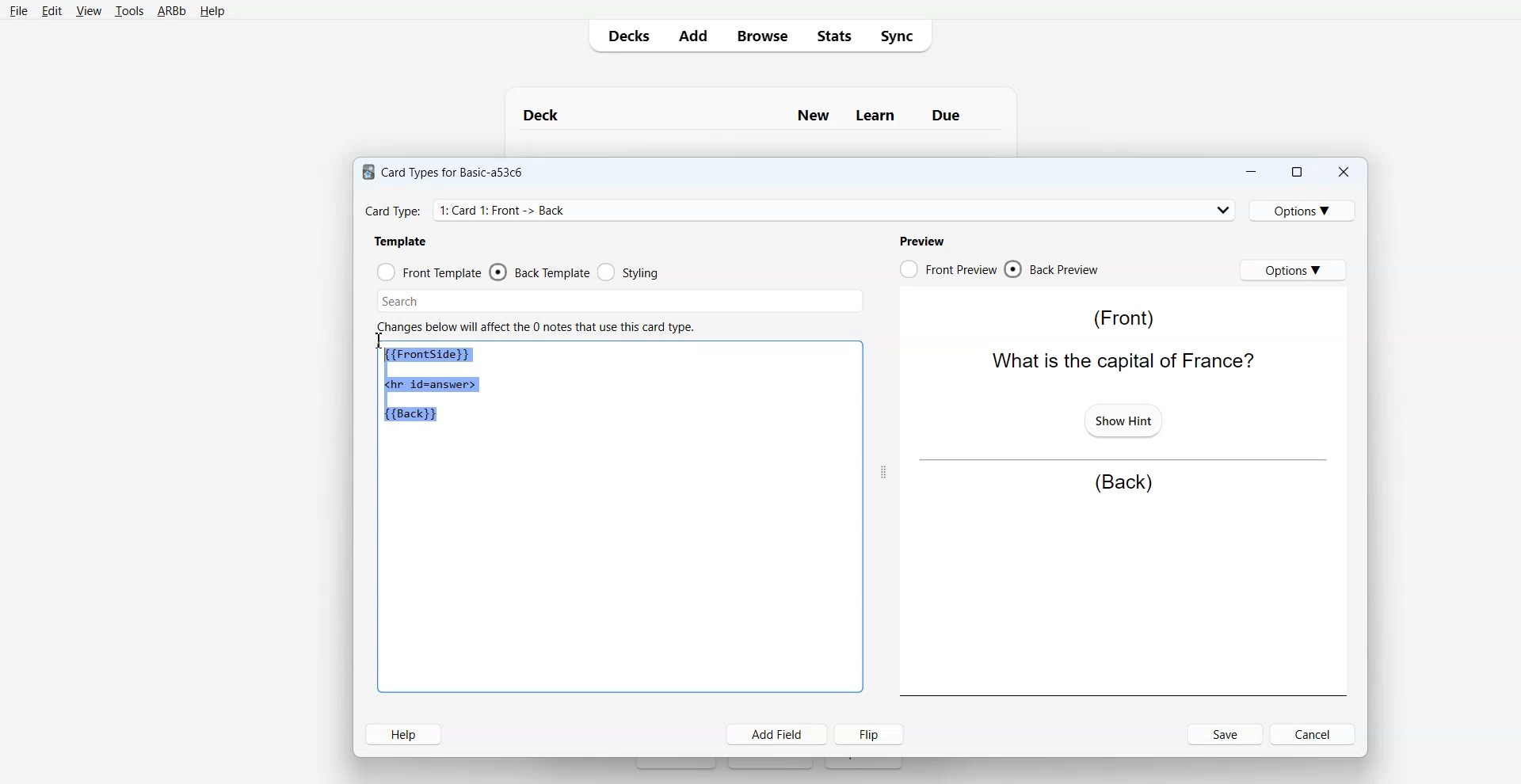  Describe the element at coordinates (434, 386) in the screenshot. I see `{{Frontside}}
<hr id=answer>
(Back)` at that location.